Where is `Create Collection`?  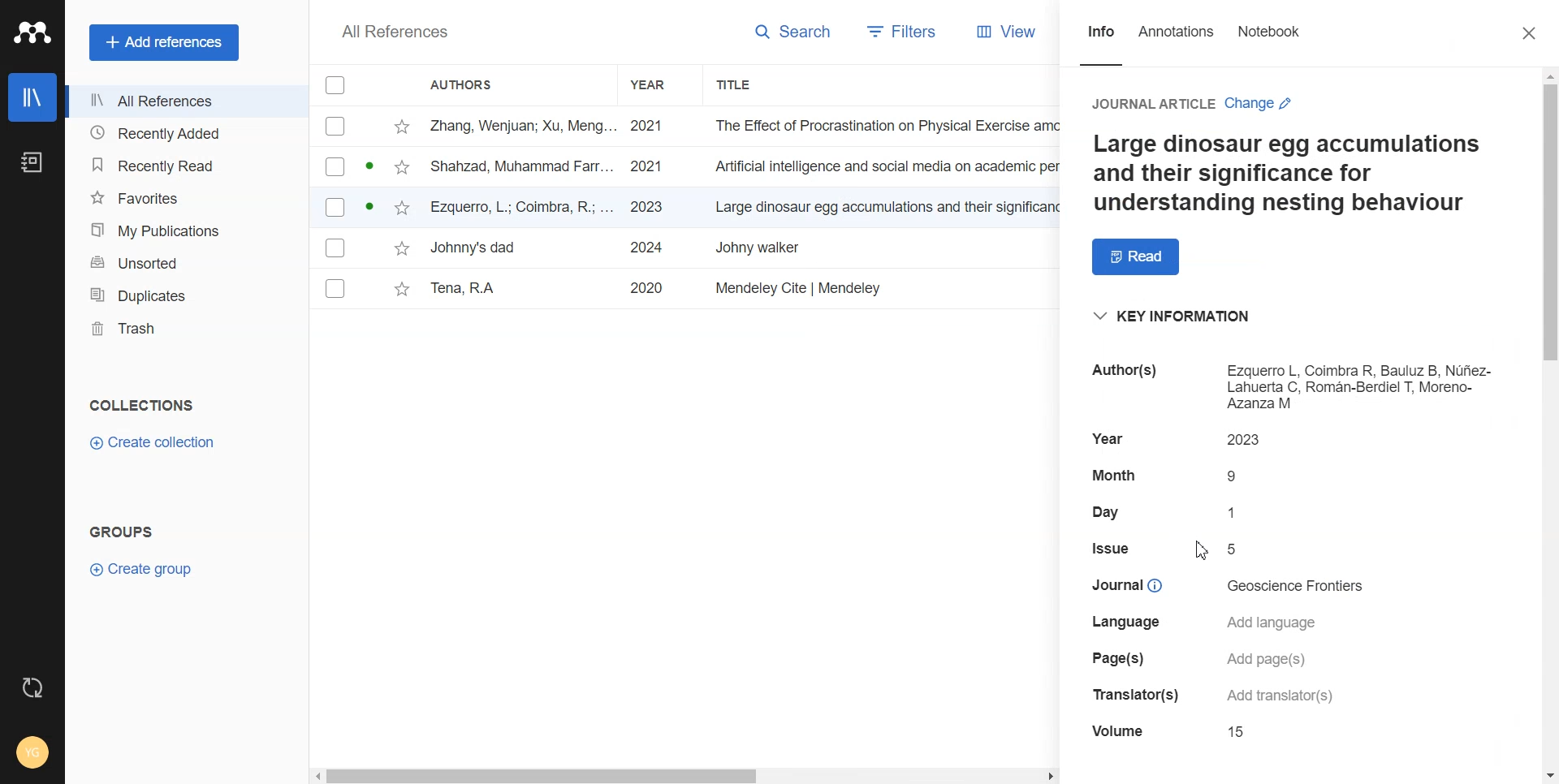 Create Collection is located at coordinates (153, 443).